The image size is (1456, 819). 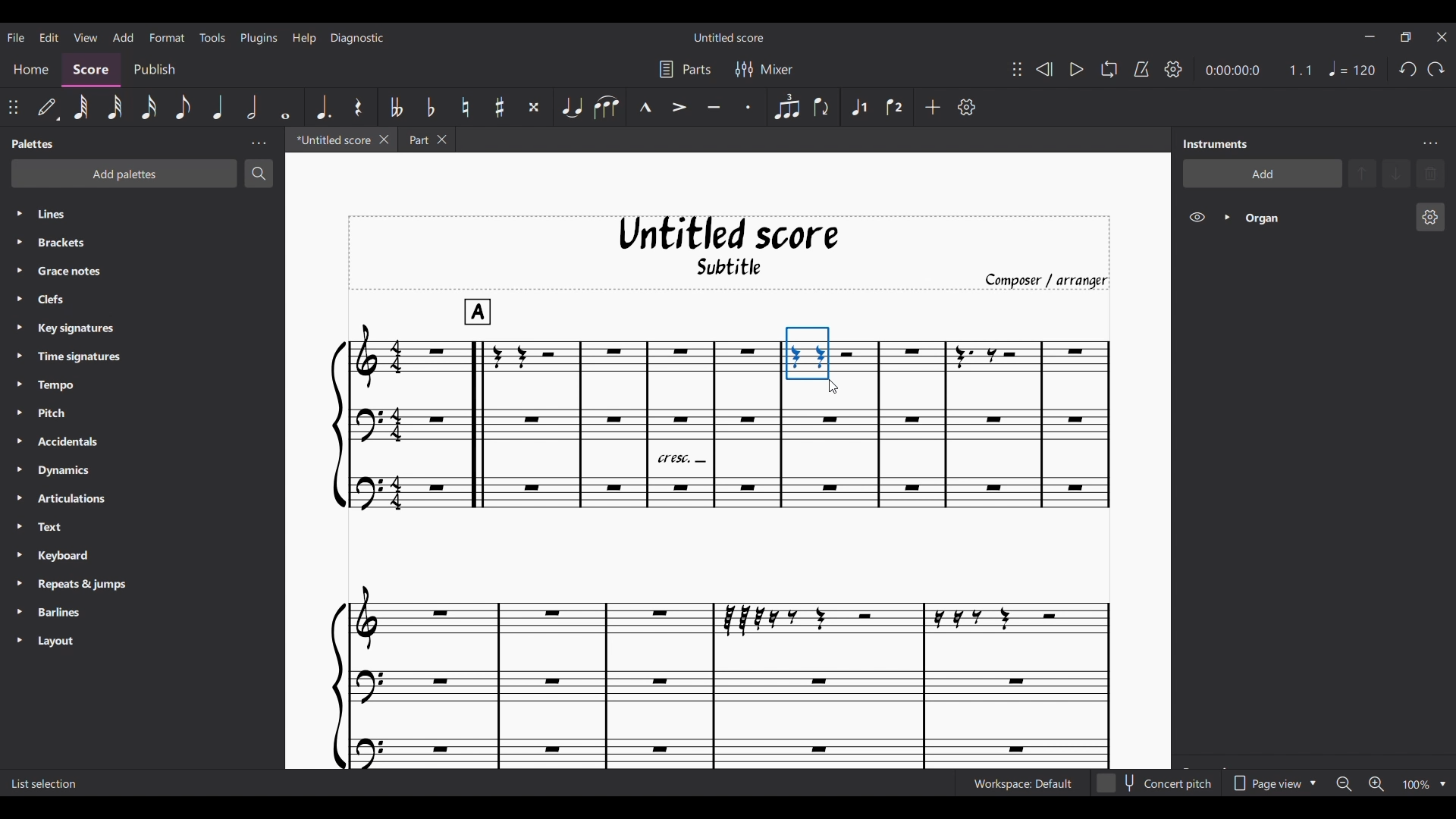 I want to click on View menu, so click(x=86, y=36).